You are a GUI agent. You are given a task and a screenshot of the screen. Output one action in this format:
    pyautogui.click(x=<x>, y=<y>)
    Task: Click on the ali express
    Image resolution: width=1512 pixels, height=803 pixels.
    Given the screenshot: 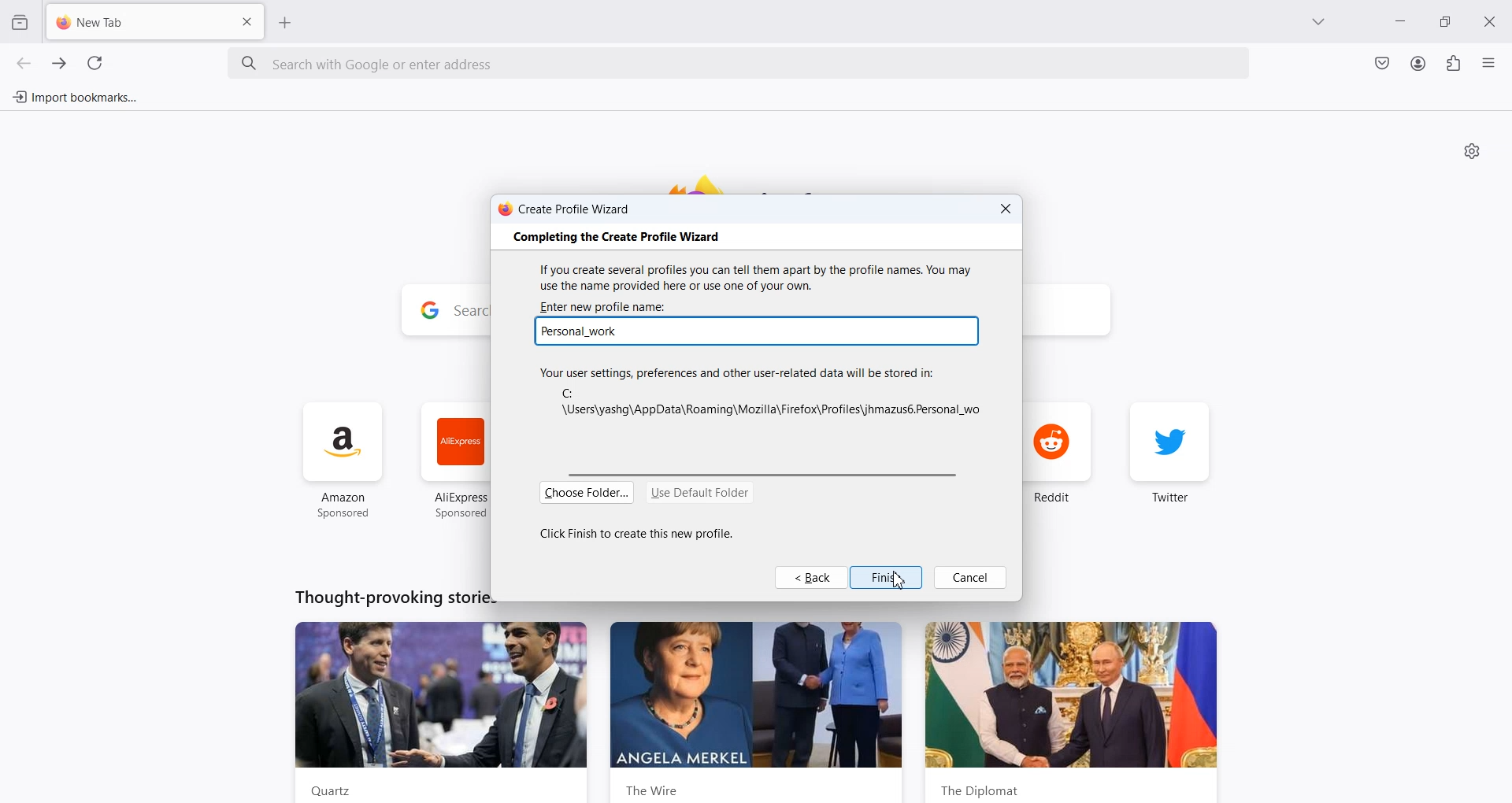 What is the action you would take?
    pyautogui.click(x=457, y=458)
    